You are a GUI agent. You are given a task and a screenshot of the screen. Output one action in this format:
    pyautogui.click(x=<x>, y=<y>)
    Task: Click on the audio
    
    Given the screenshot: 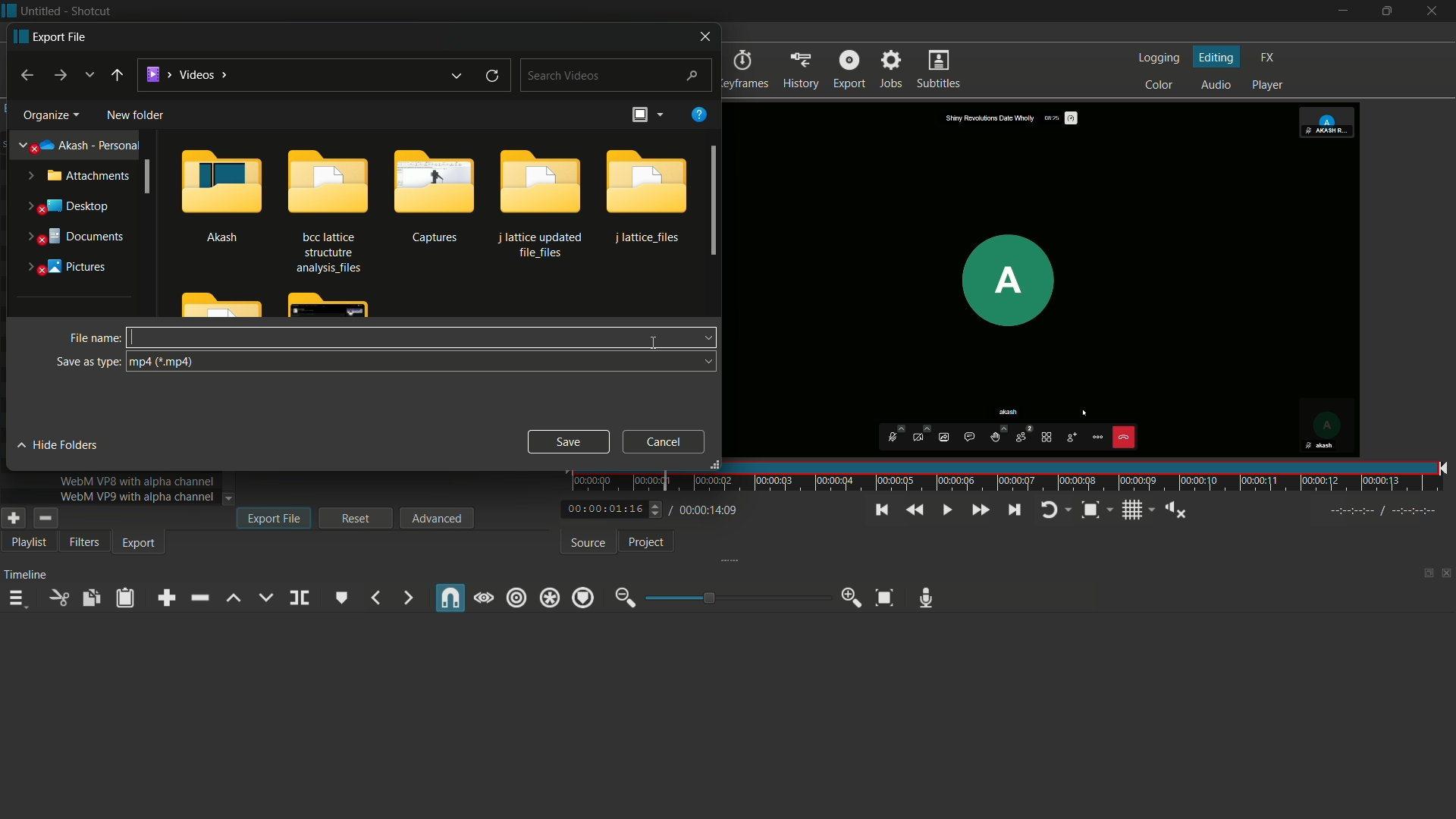 What is the action you would take?
    pyautogui.click(x=1216, y=86)
    